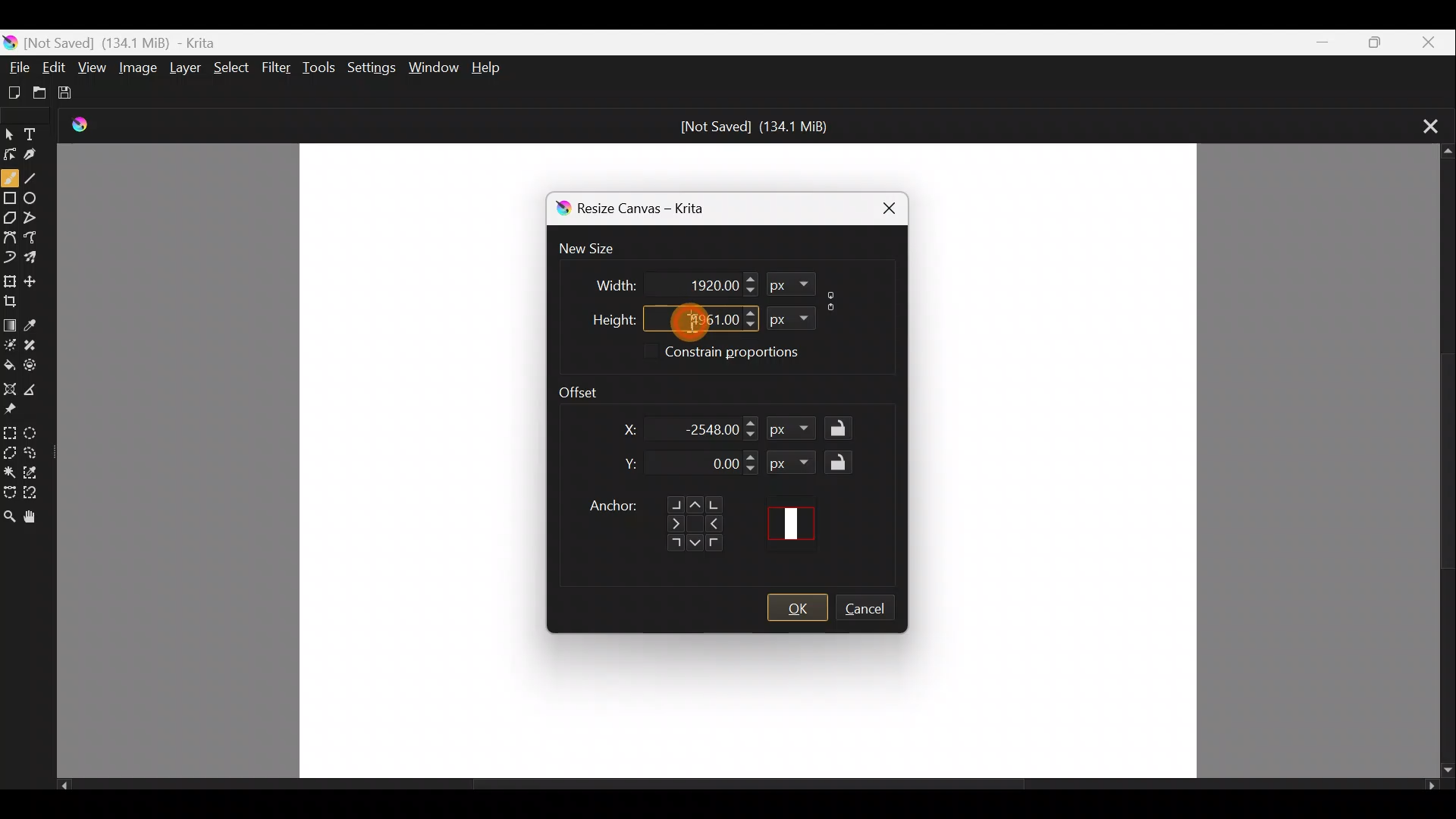 The width and height of the screenshot is (1456, 819). What do you see at coordinates (748, 789) in the screenshot?
I see `Scroll bar` at bounding box center [748, 789].